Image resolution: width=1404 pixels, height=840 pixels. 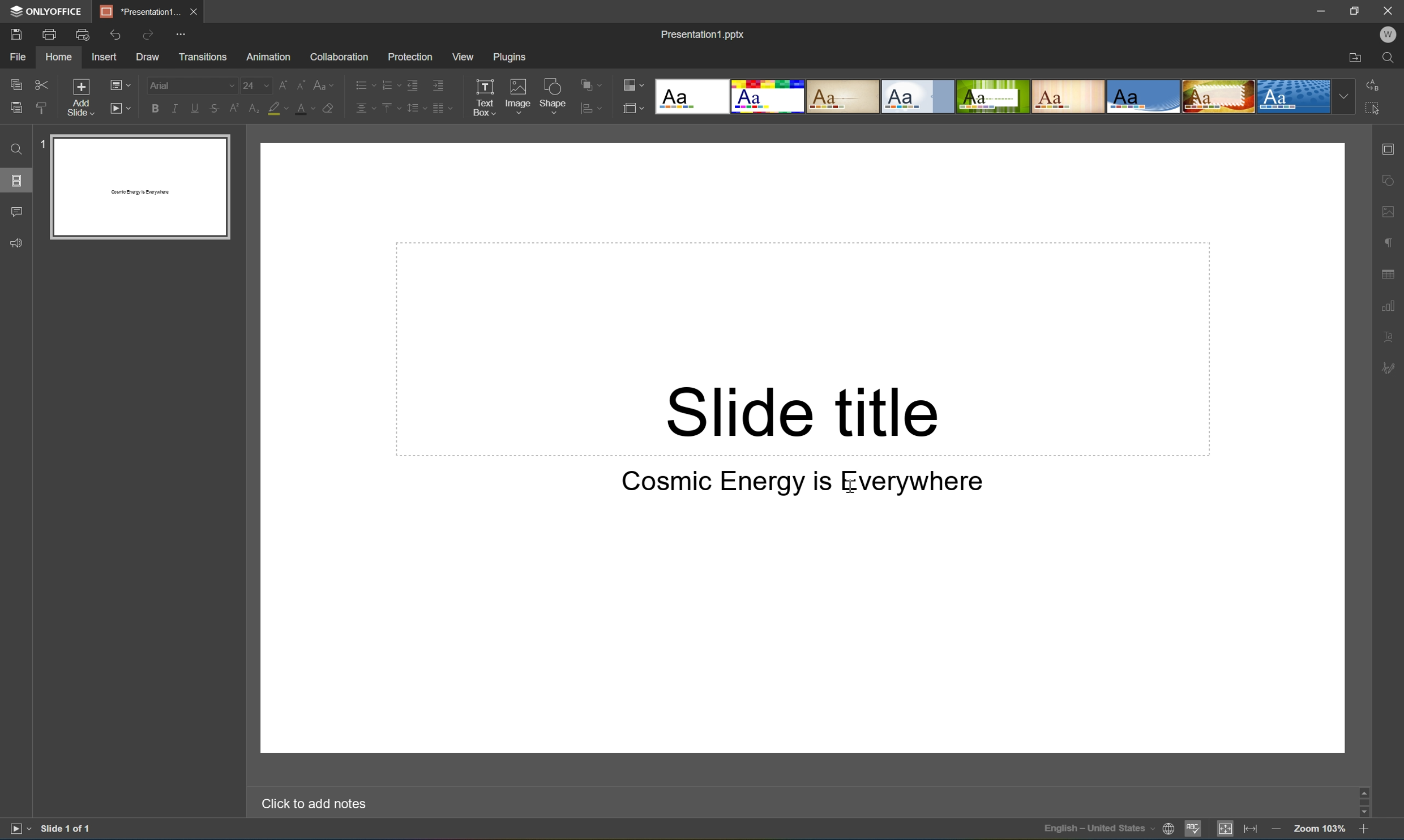 What do you see at coordinates (587, 82) in the screenshot?
I see `Arrange shape` at bounding box center [587, 82].